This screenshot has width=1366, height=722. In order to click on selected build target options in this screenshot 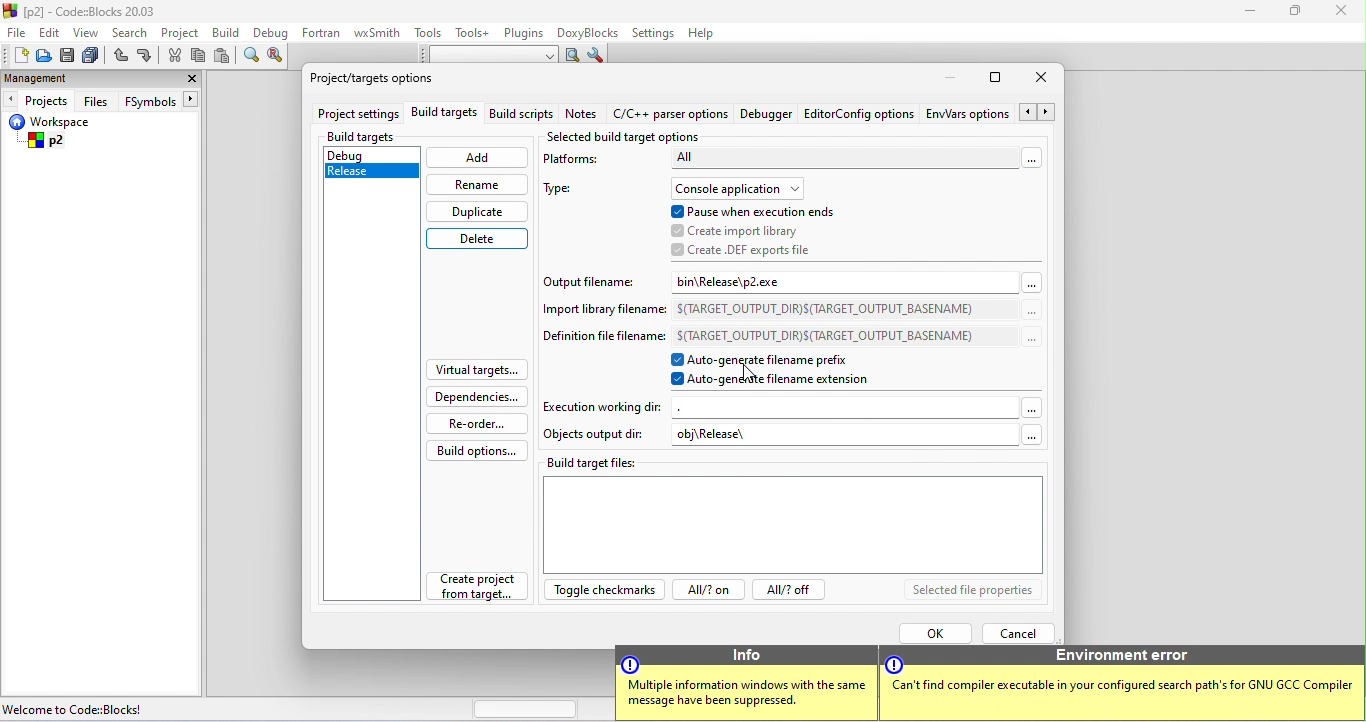, I will do `click(626, 136)`.